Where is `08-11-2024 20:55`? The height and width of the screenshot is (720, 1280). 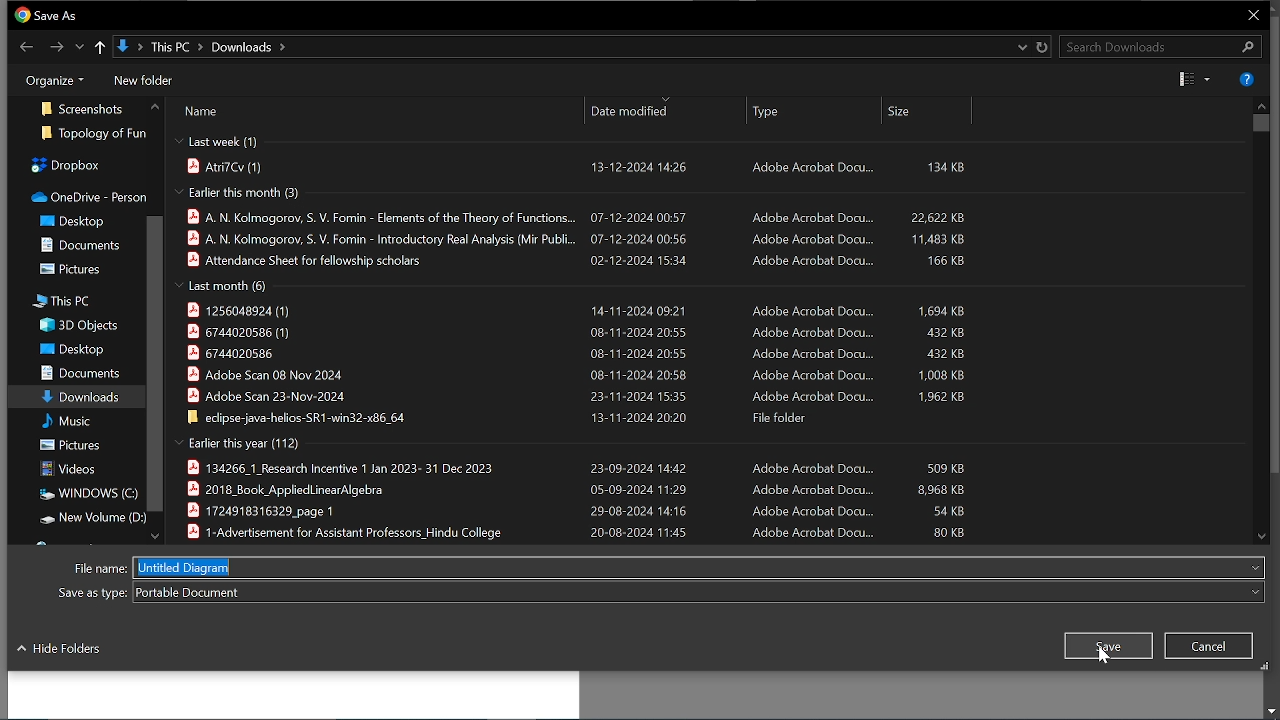 08-11-2024 20:55 is located at coordinates (633, 354).